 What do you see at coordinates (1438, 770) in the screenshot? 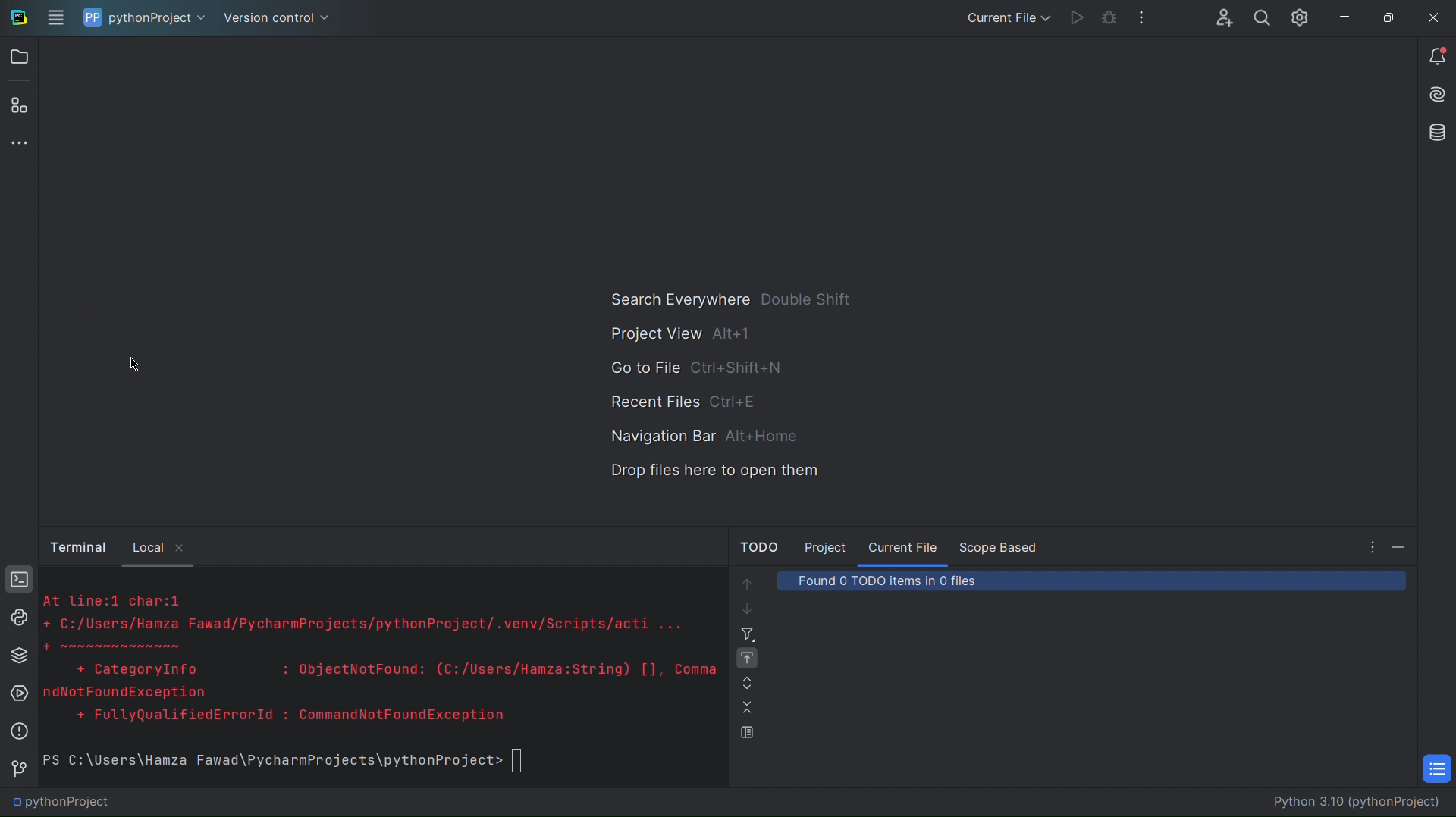
I see `TODO` at bounding box center [1438, 770].